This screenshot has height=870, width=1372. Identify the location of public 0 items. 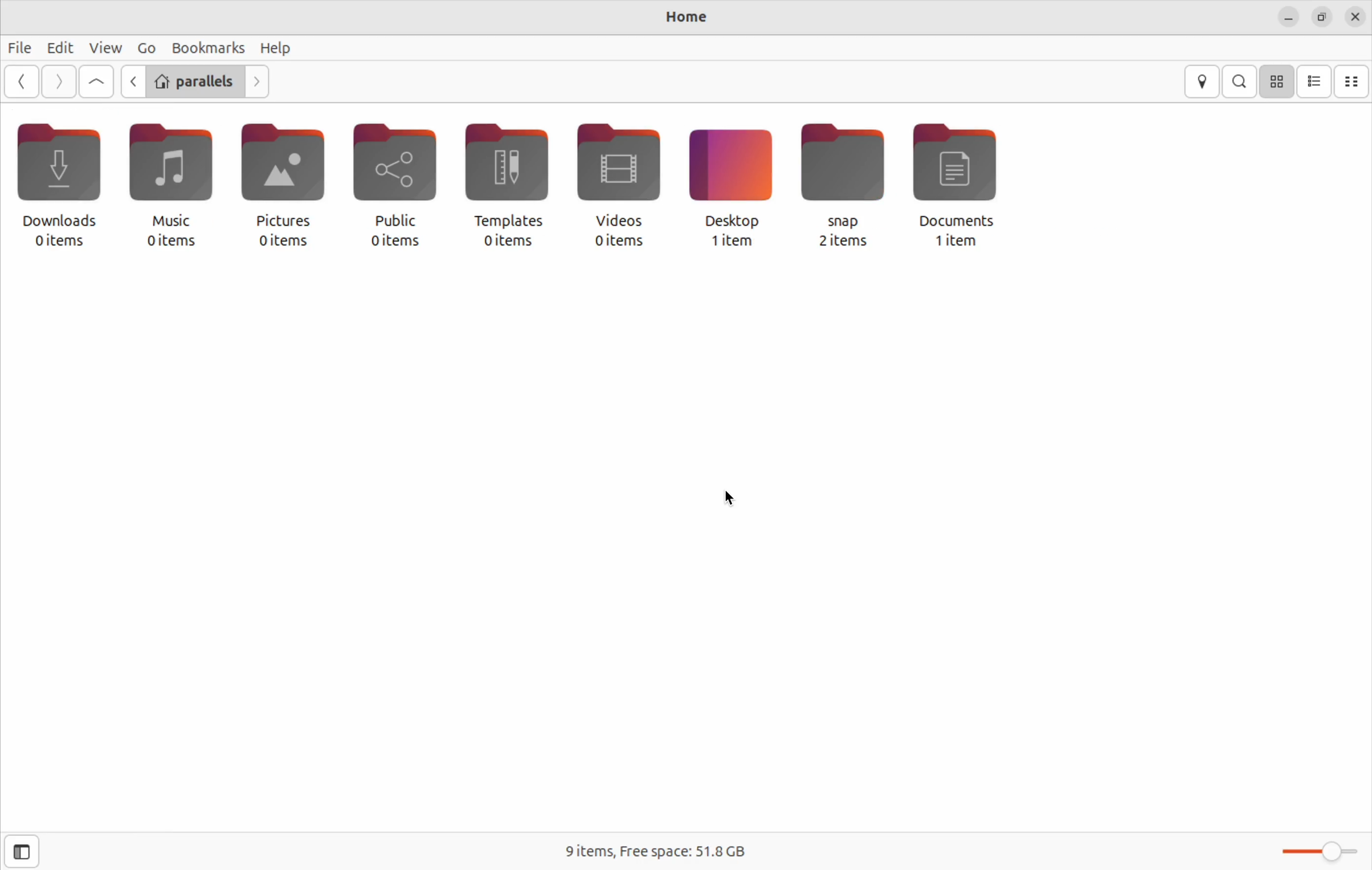
(406, 184).